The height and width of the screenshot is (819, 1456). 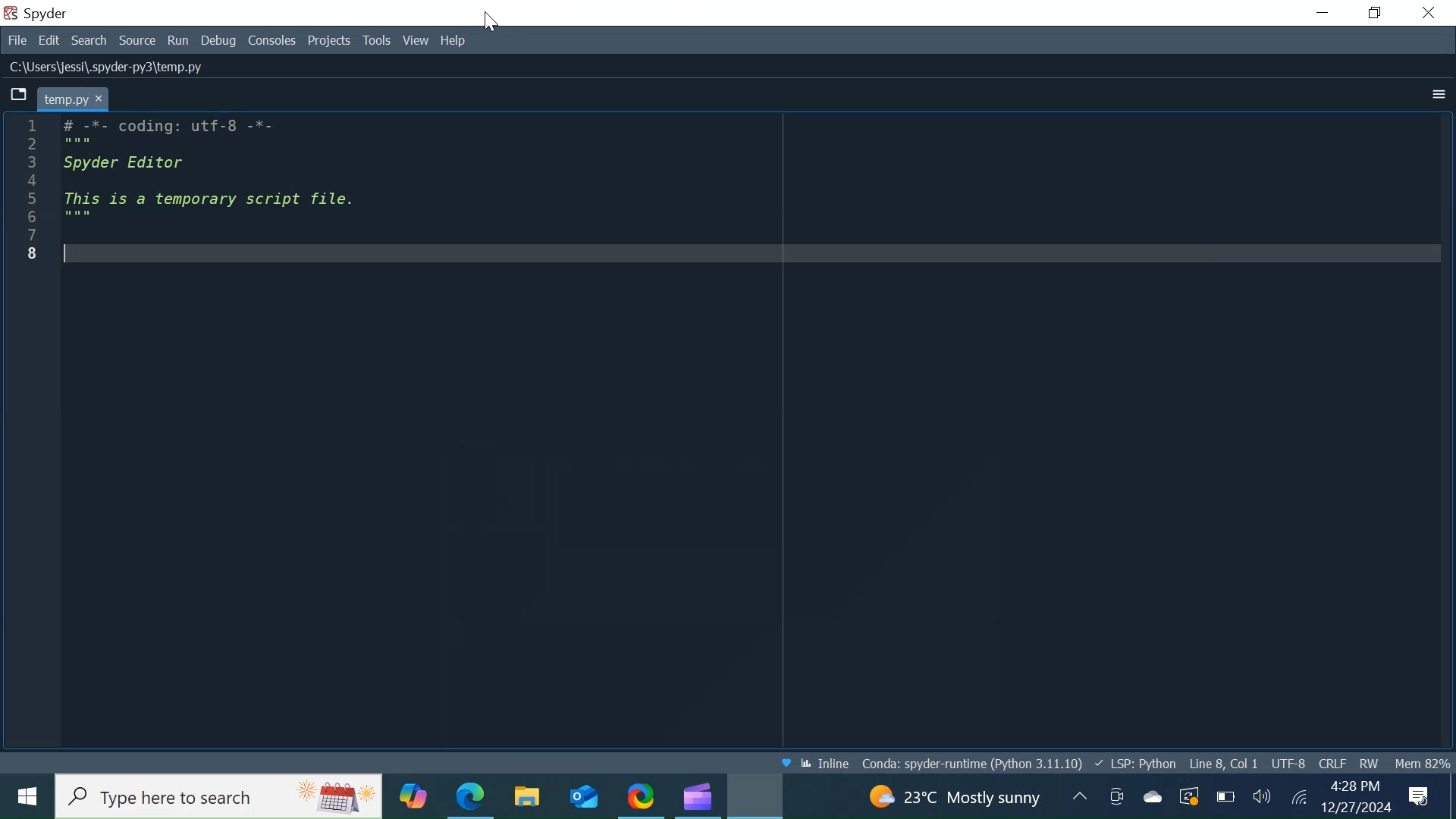 What do you see at coordinates (1436, 93) in the screenshot?
I see `More options` at bounding box center [1436, 93].